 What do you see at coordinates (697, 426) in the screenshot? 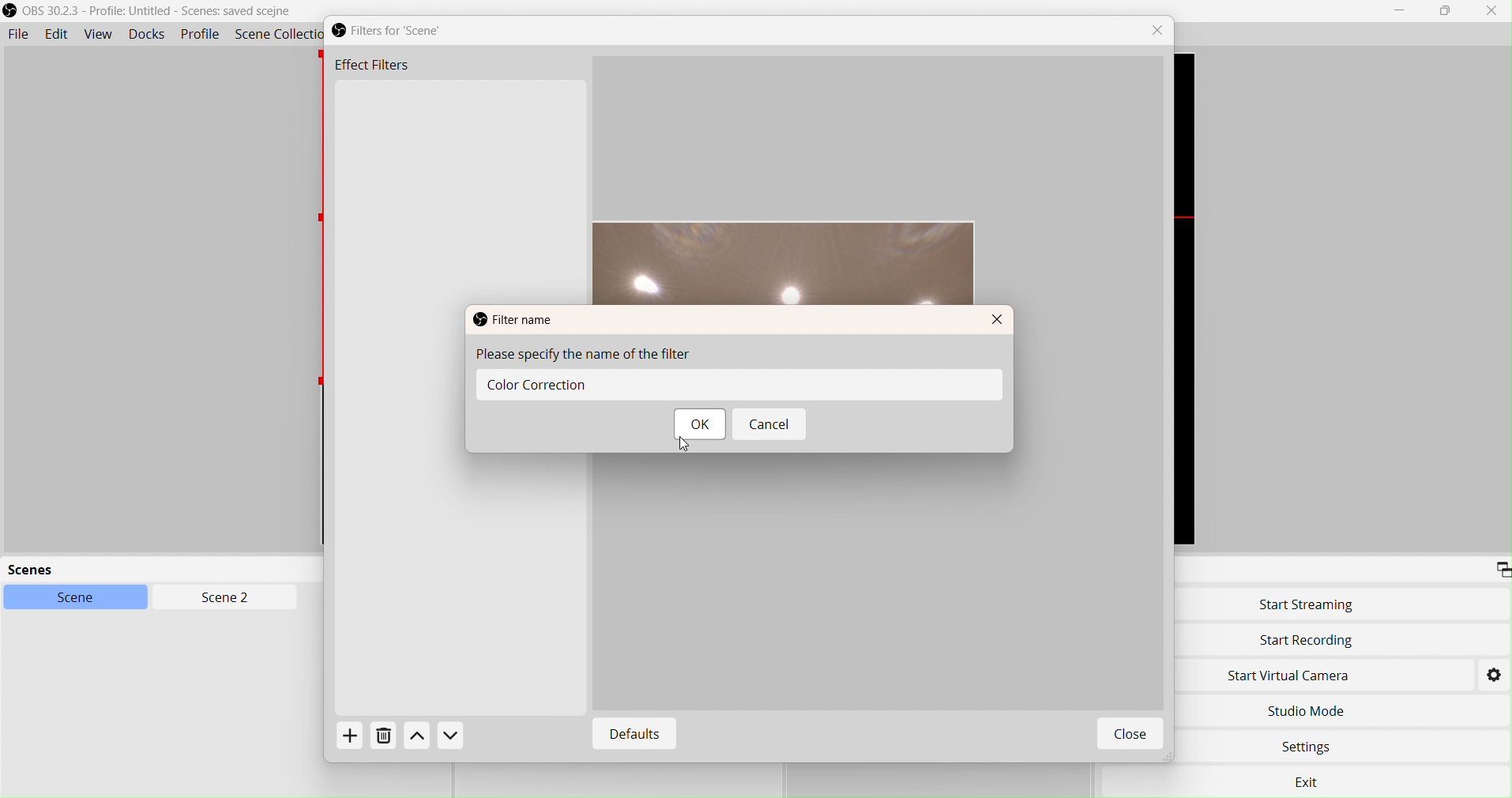
I see `ok` at bounding box center [697, 426].